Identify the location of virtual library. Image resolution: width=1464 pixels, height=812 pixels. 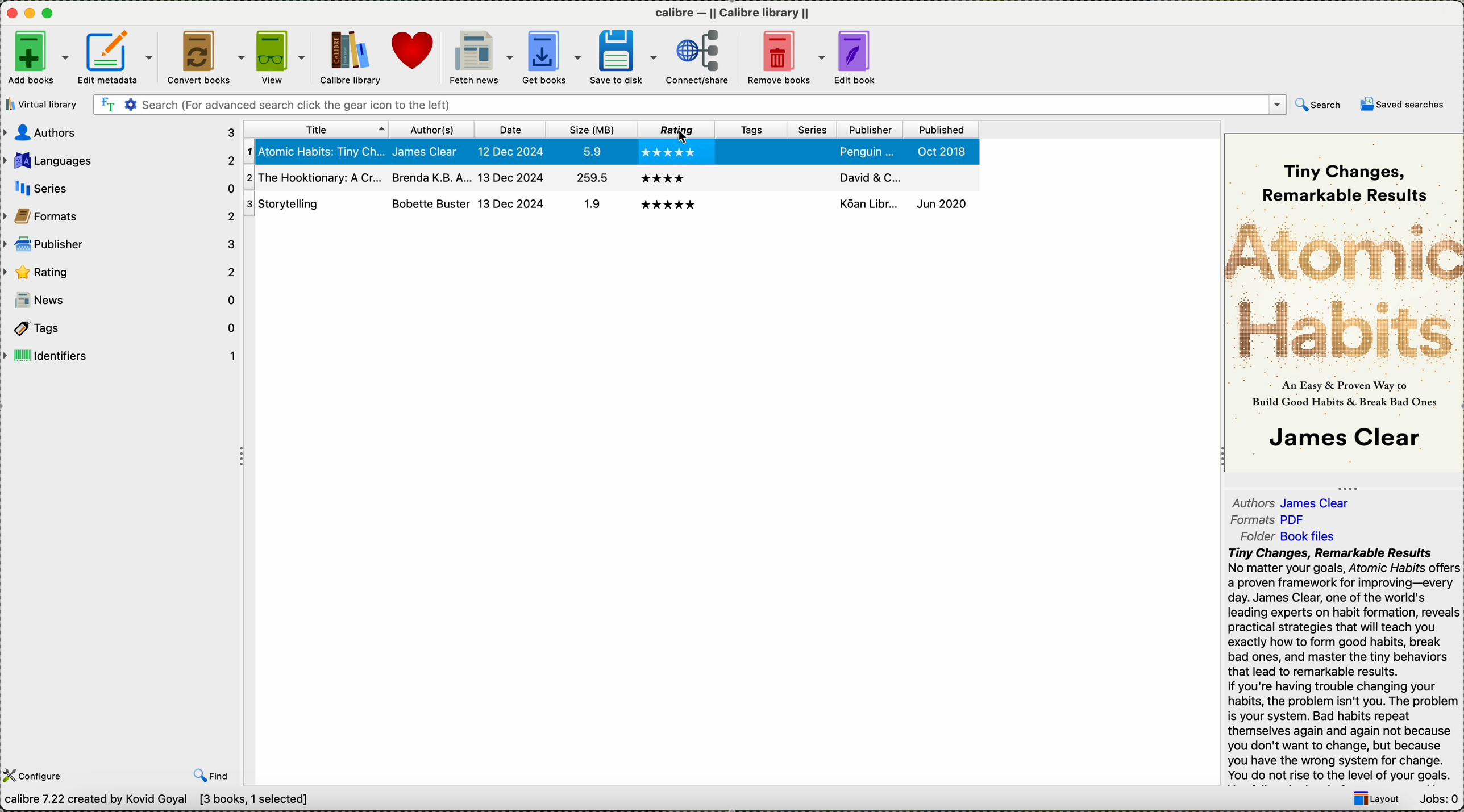
(41, 104).